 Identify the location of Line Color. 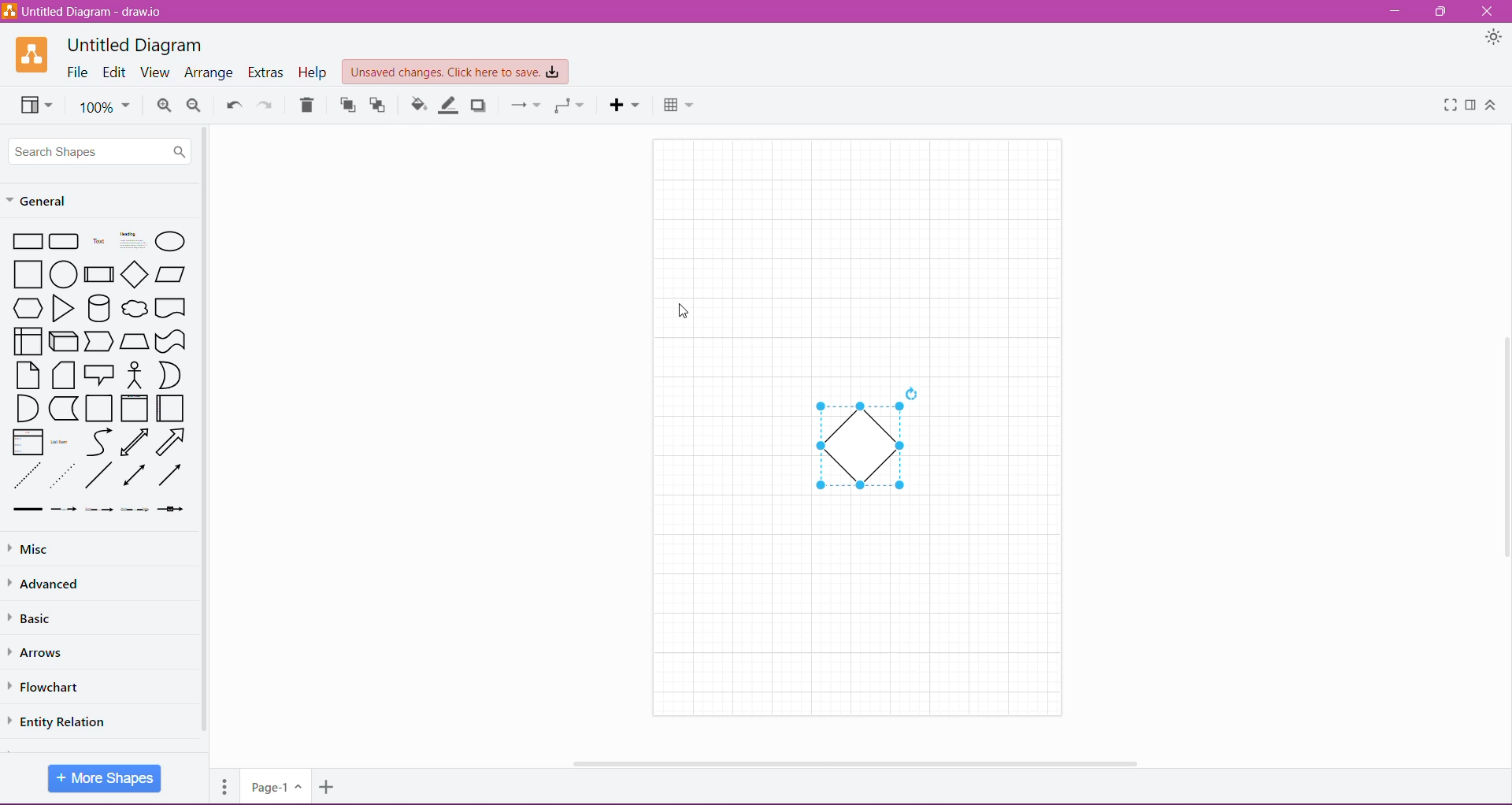
(447, 104).